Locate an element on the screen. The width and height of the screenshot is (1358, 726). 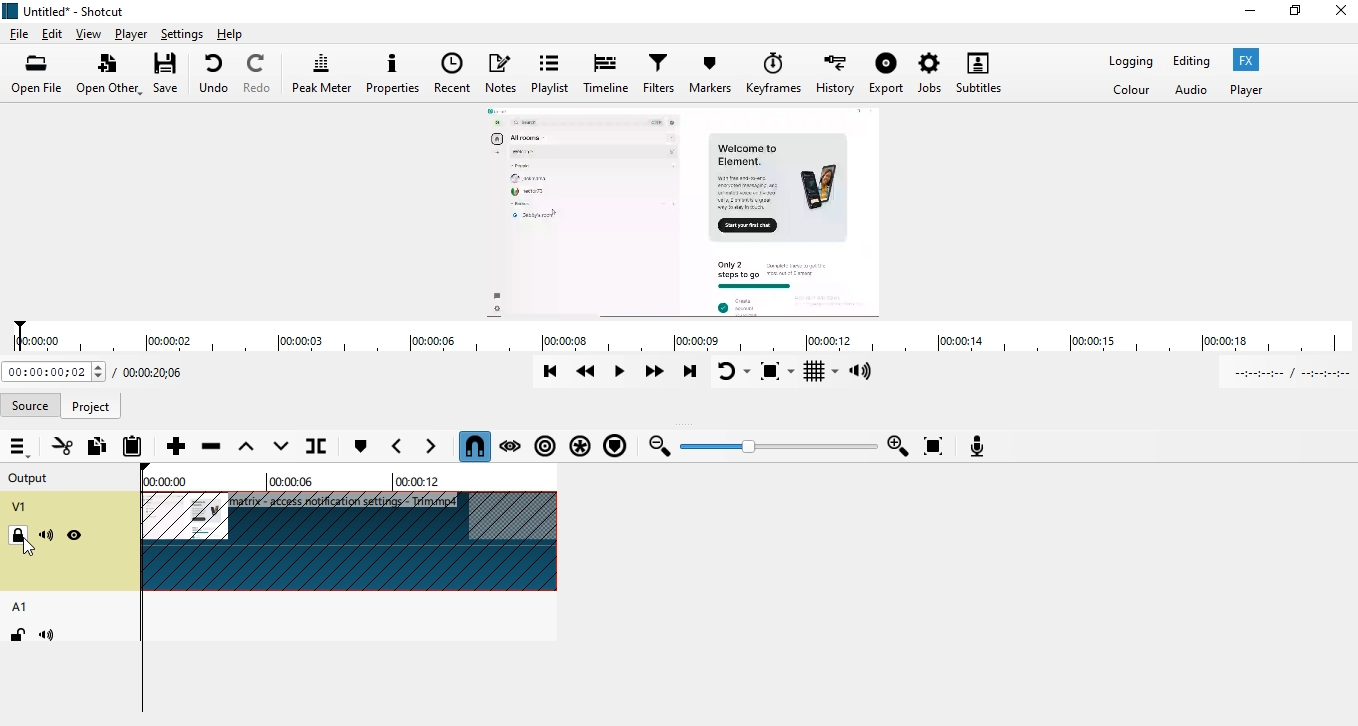
undo is located at coordinates (215, 74).